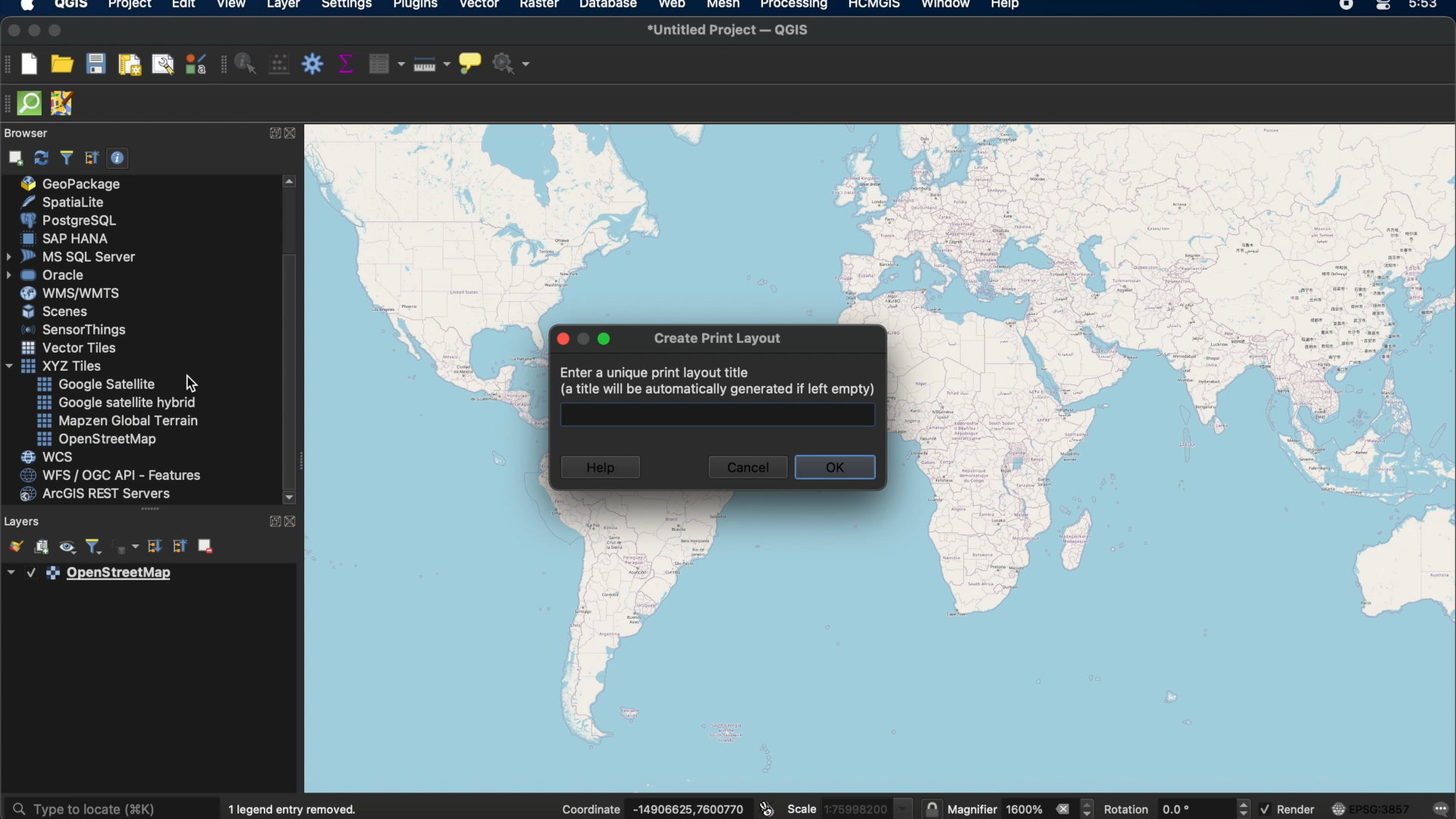 This screenshot has width=1456, height=819. Describe the element at coordinates (75, 184) in the screenshot. I see `geo package` at that location.